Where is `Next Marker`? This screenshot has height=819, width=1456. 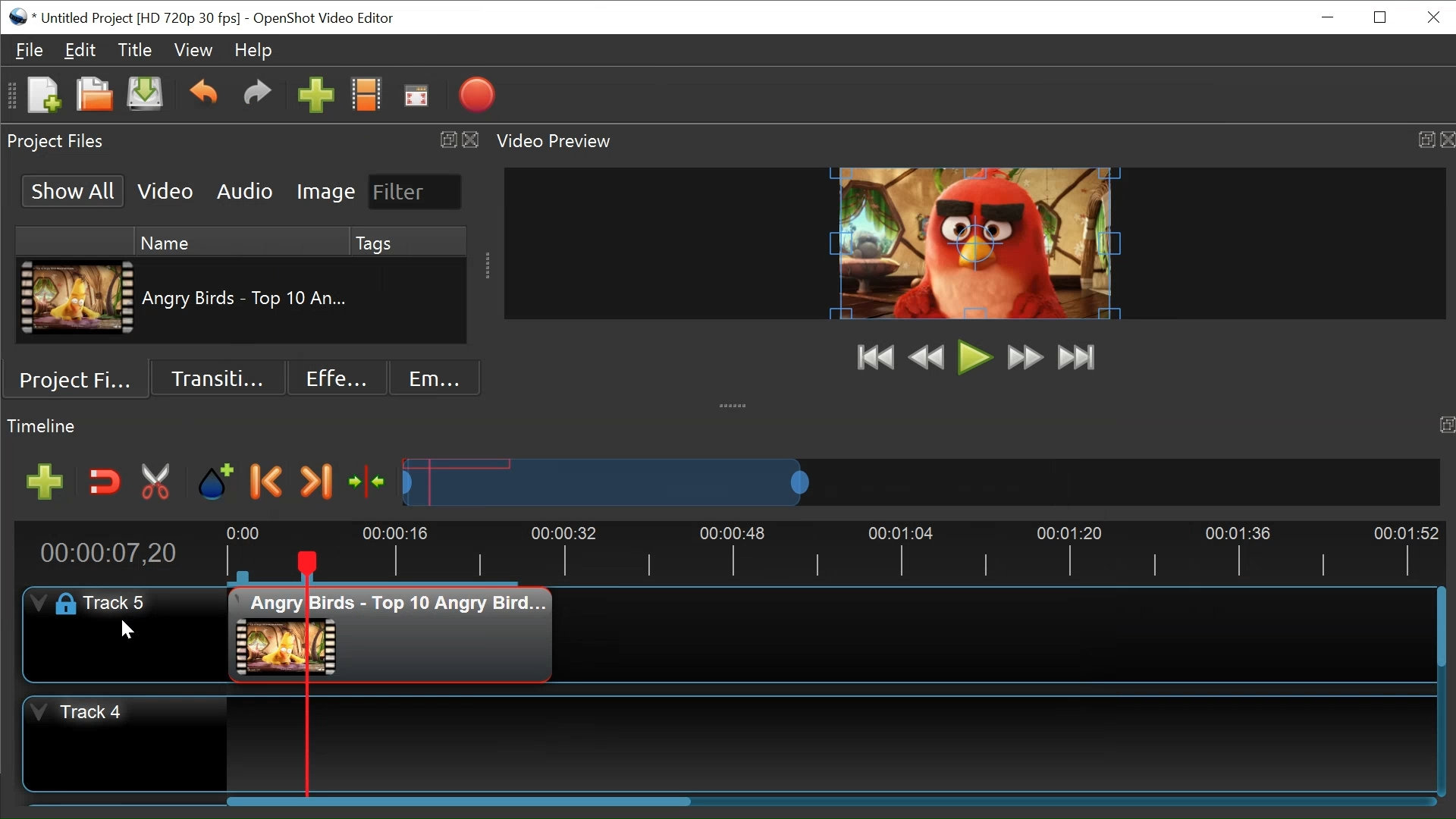 Next Marker is located at coordinates (316, 481).